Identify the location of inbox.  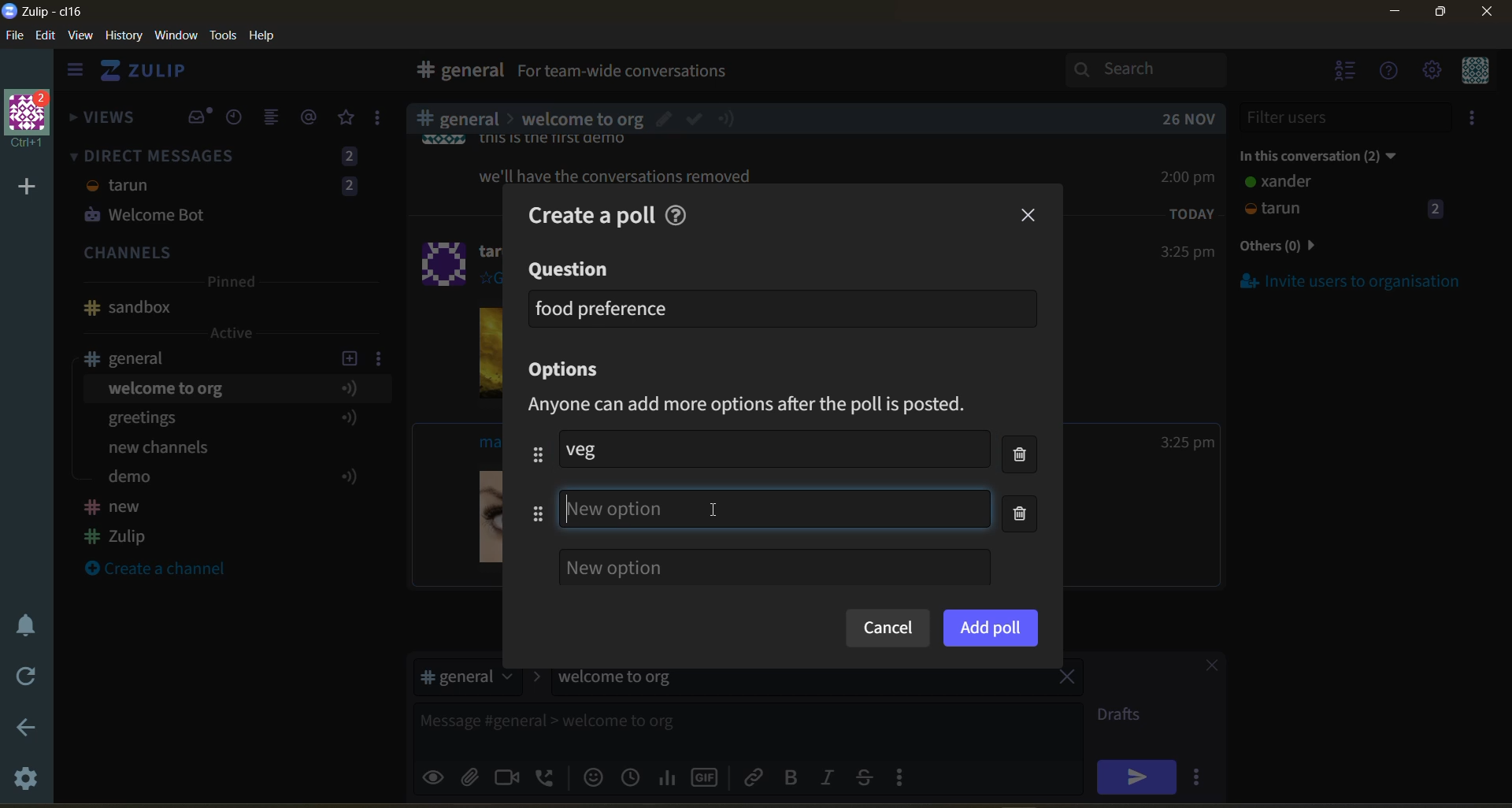
(456, 72).